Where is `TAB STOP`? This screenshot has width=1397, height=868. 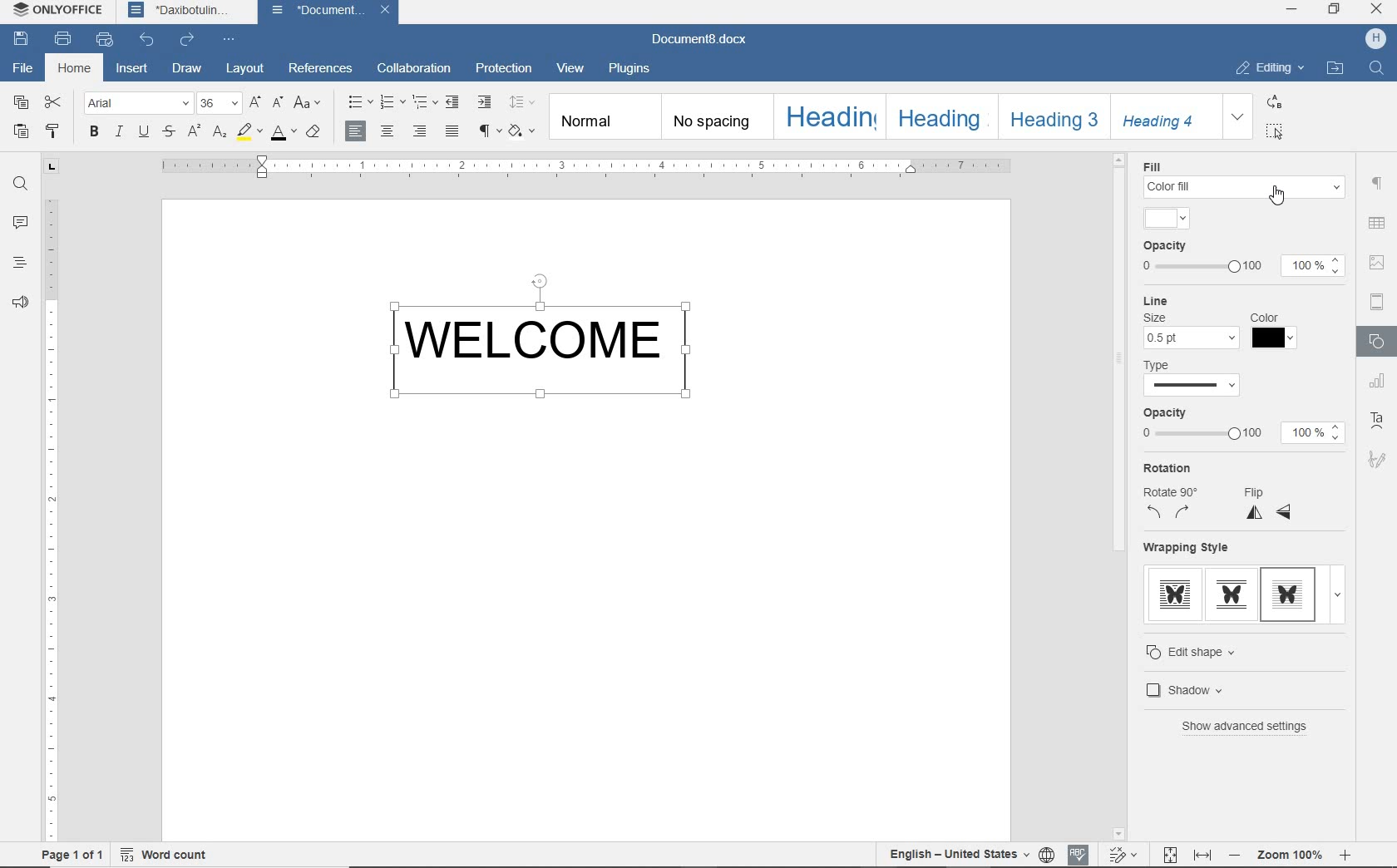 TAB STOP is located at coordinates (51, 168).